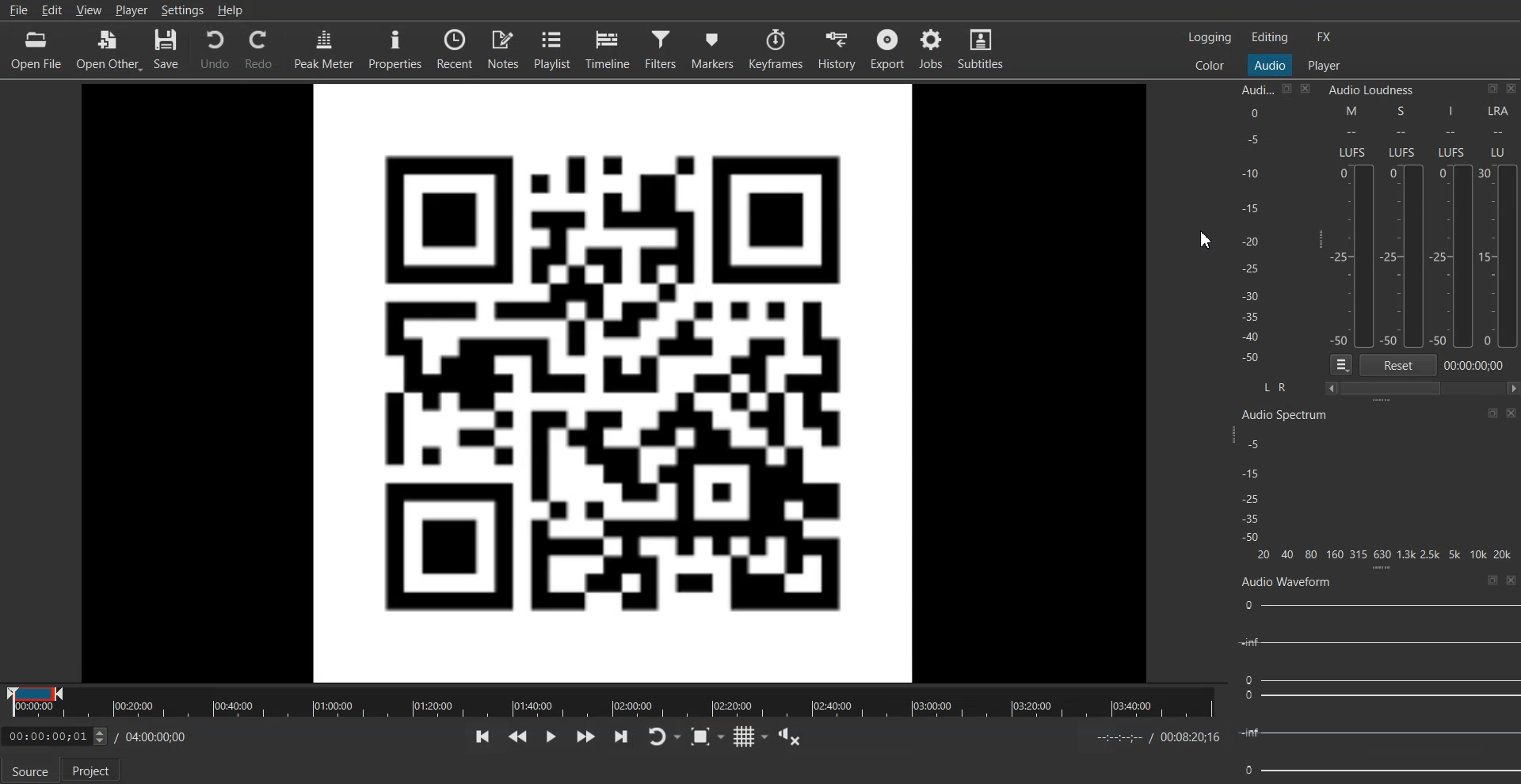 This screenshot has width=1521, height=784. Describe the element at coordinates (1493, 580) in the screenshot. I see `Maximize` at that location.